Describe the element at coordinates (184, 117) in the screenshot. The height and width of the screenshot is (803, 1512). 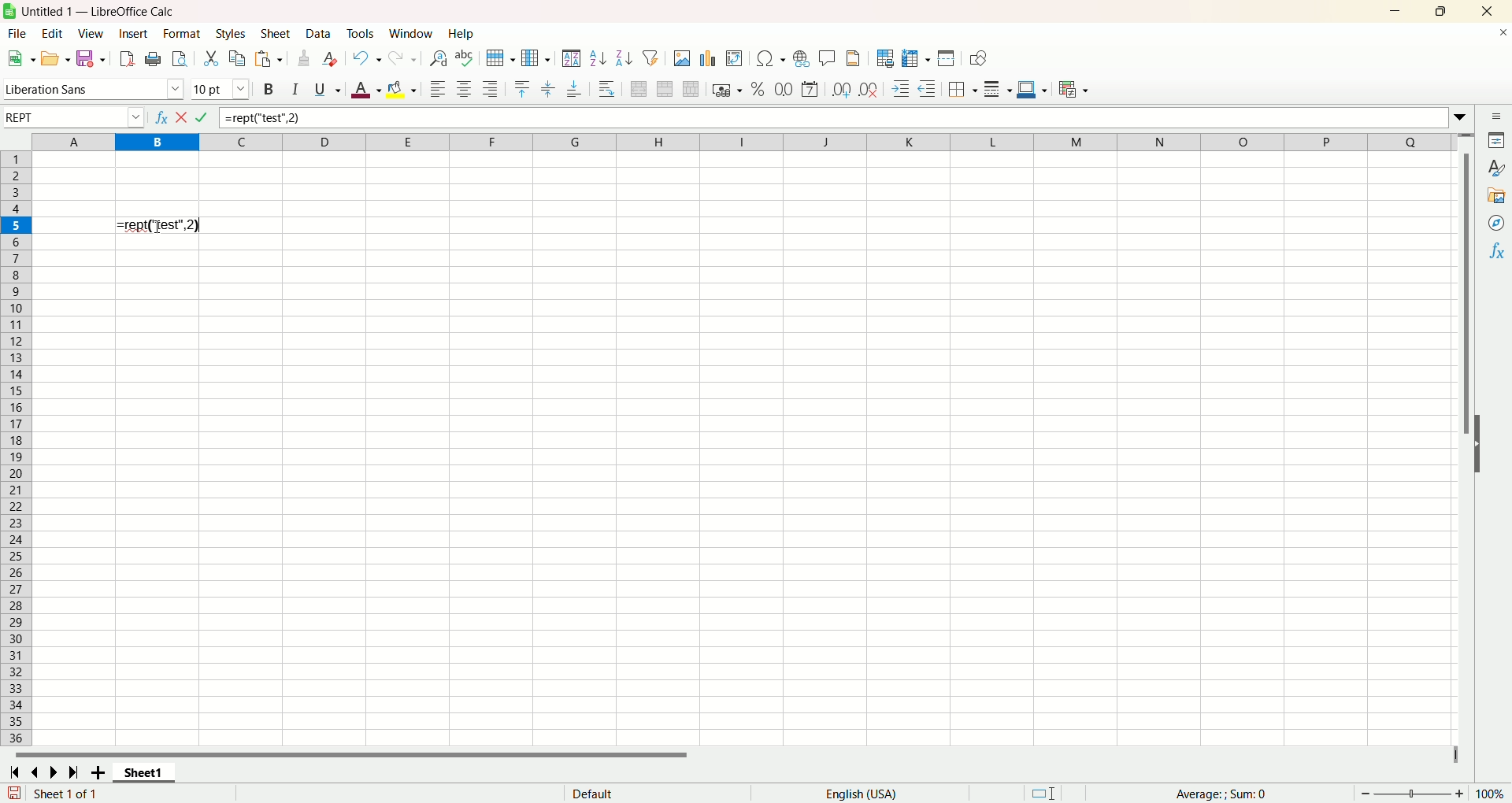
I see `cancel` at that location.